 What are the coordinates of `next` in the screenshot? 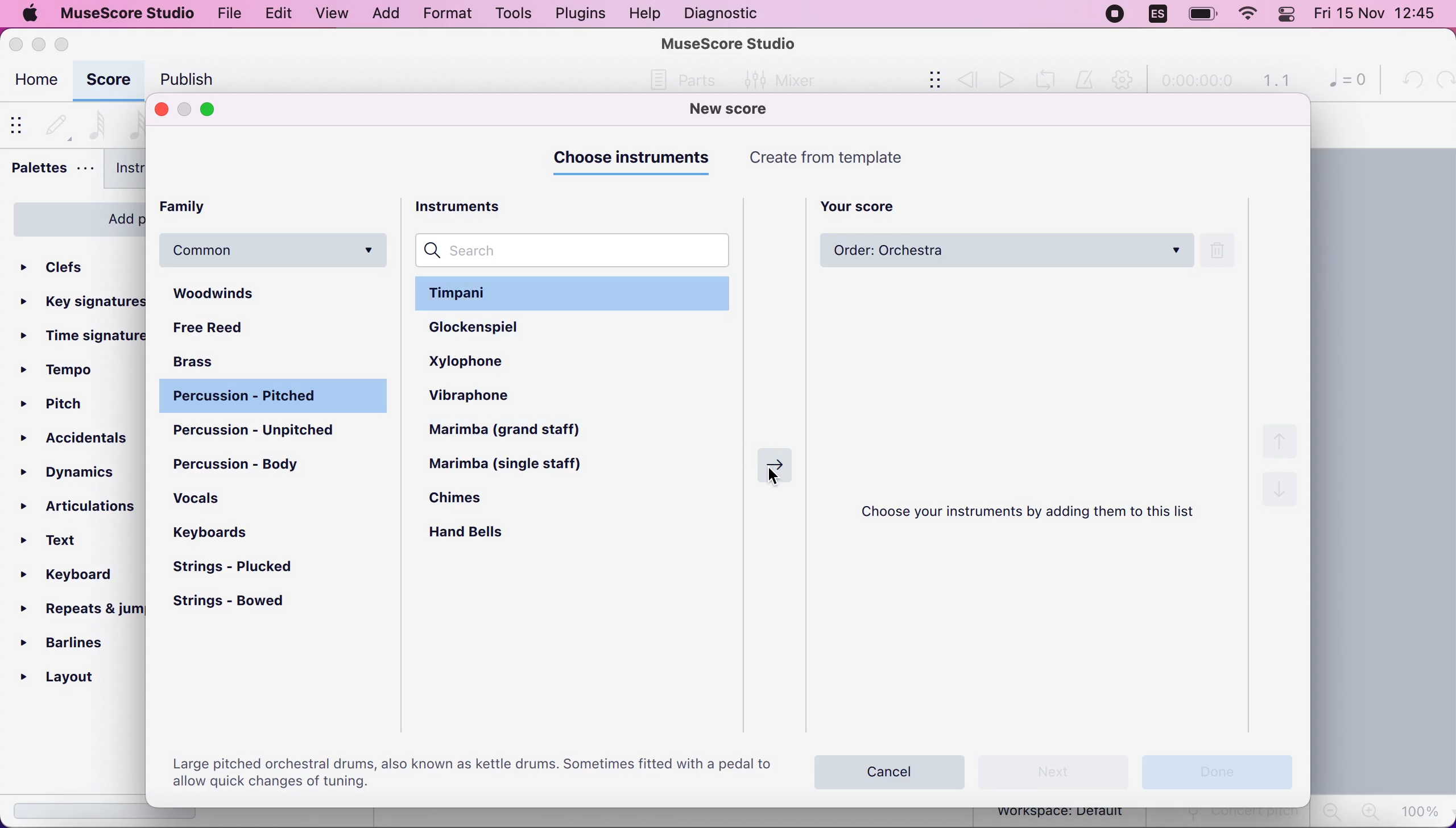 It's located at (1054, 771).